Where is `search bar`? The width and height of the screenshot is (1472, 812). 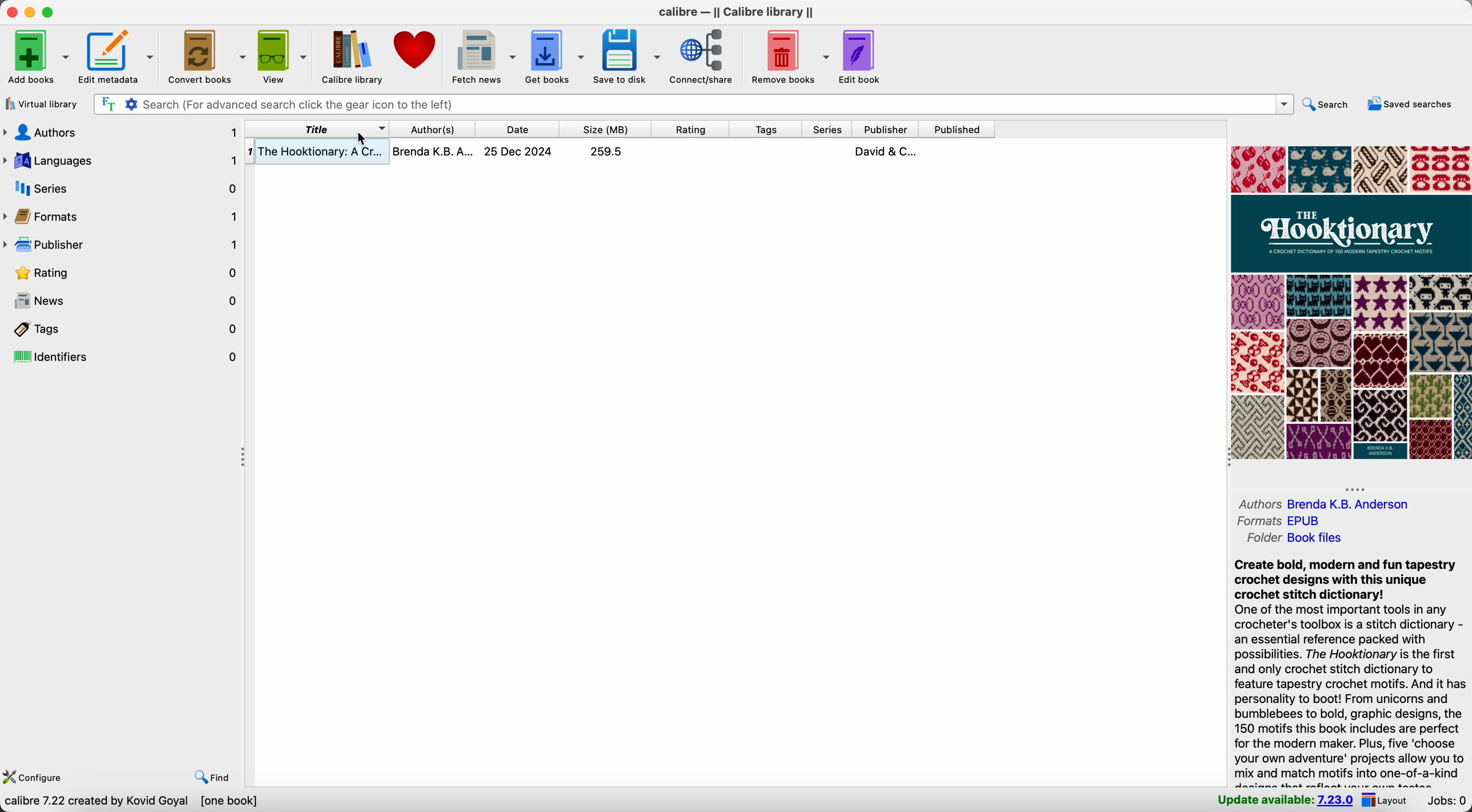 search bar is located at coordinates (693, 103).